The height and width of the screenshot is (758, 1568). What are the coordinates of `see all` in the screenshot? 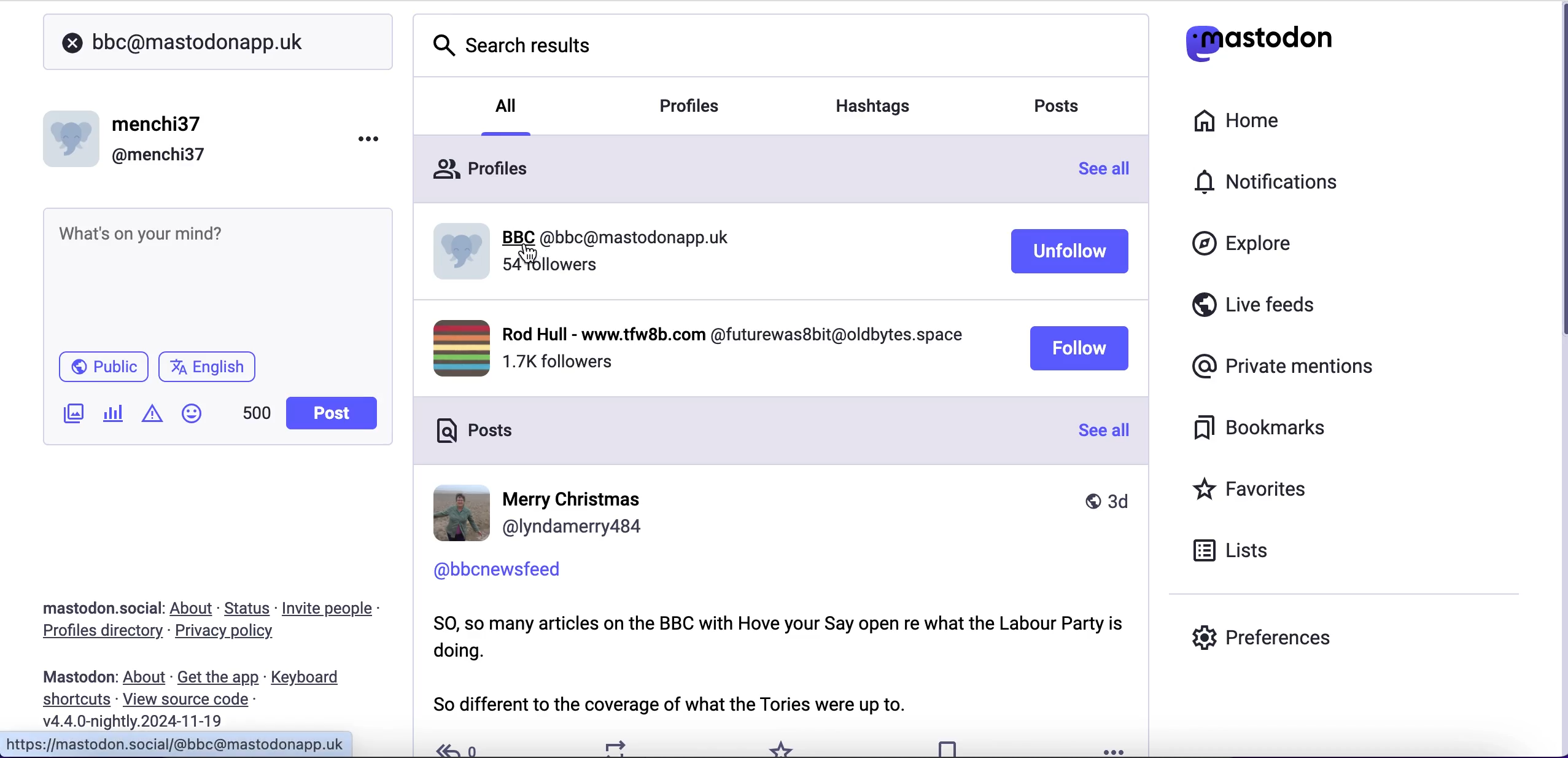 It's located at (1104, 430).